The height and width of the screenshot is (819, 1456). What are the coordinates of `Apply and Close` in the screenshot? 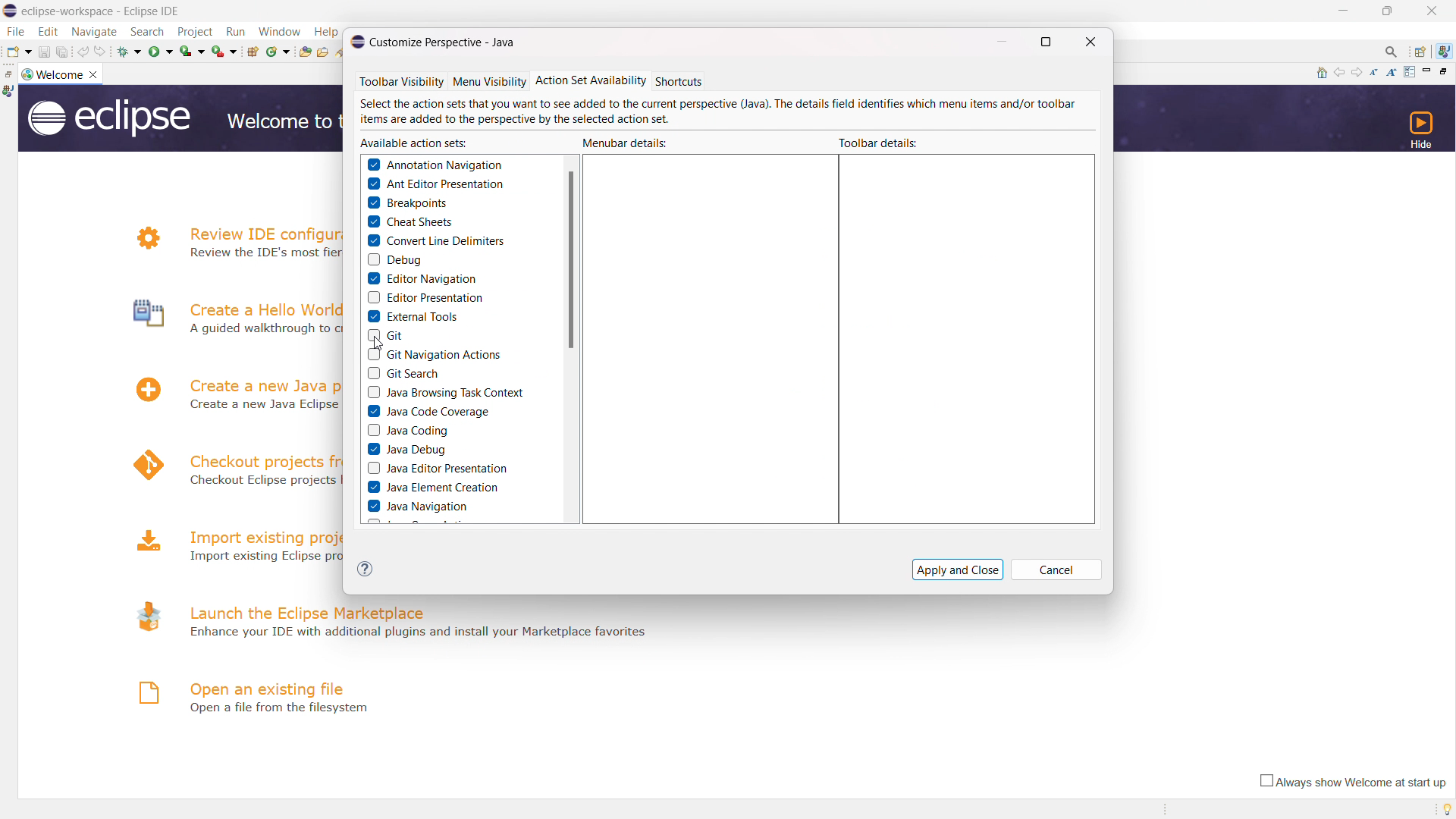 It's located at (951, 570).